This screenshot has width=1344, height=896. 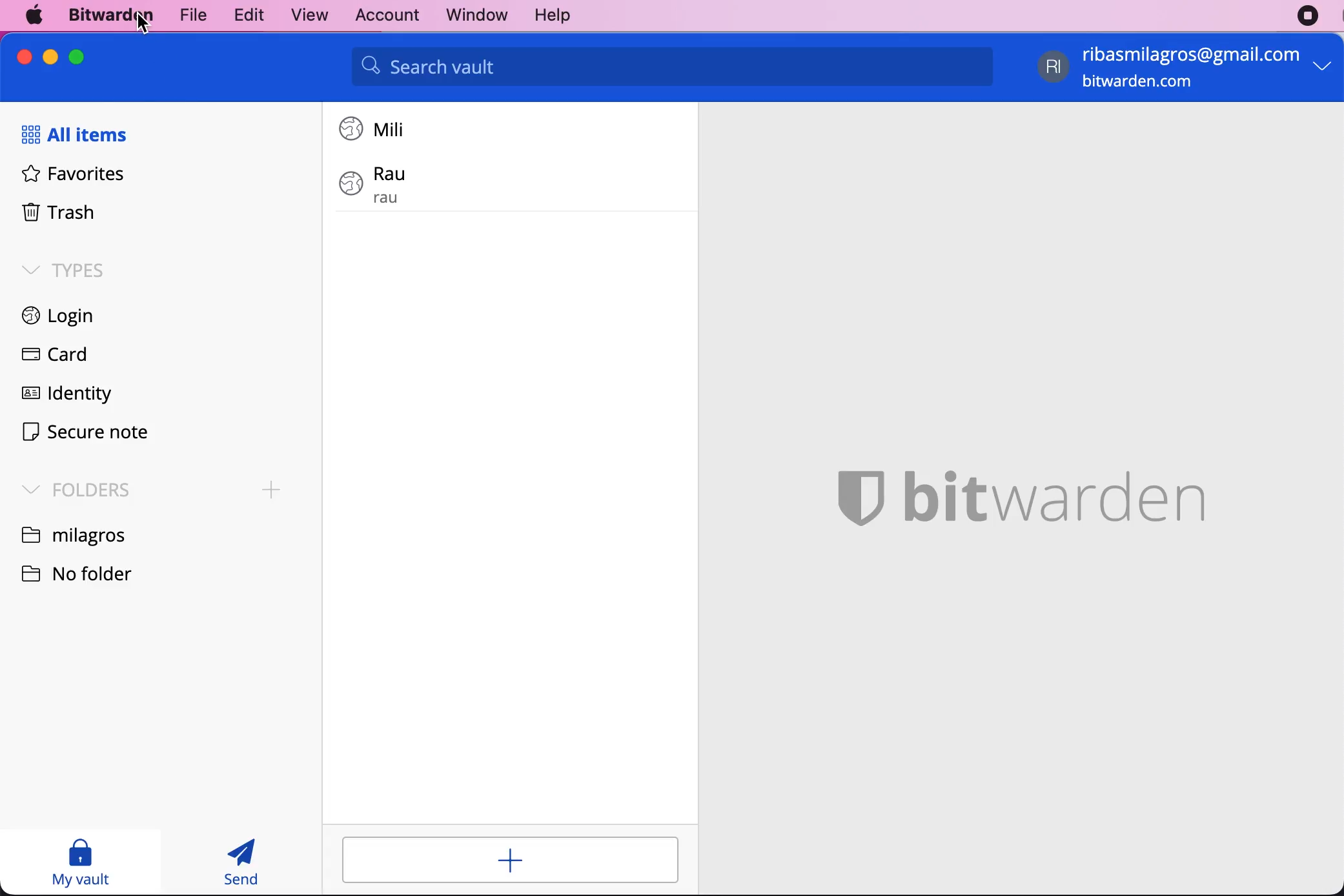 What do you see at coordinates (25, 57) in the screenshot?
I see `close` at bounding box center [25, 57].